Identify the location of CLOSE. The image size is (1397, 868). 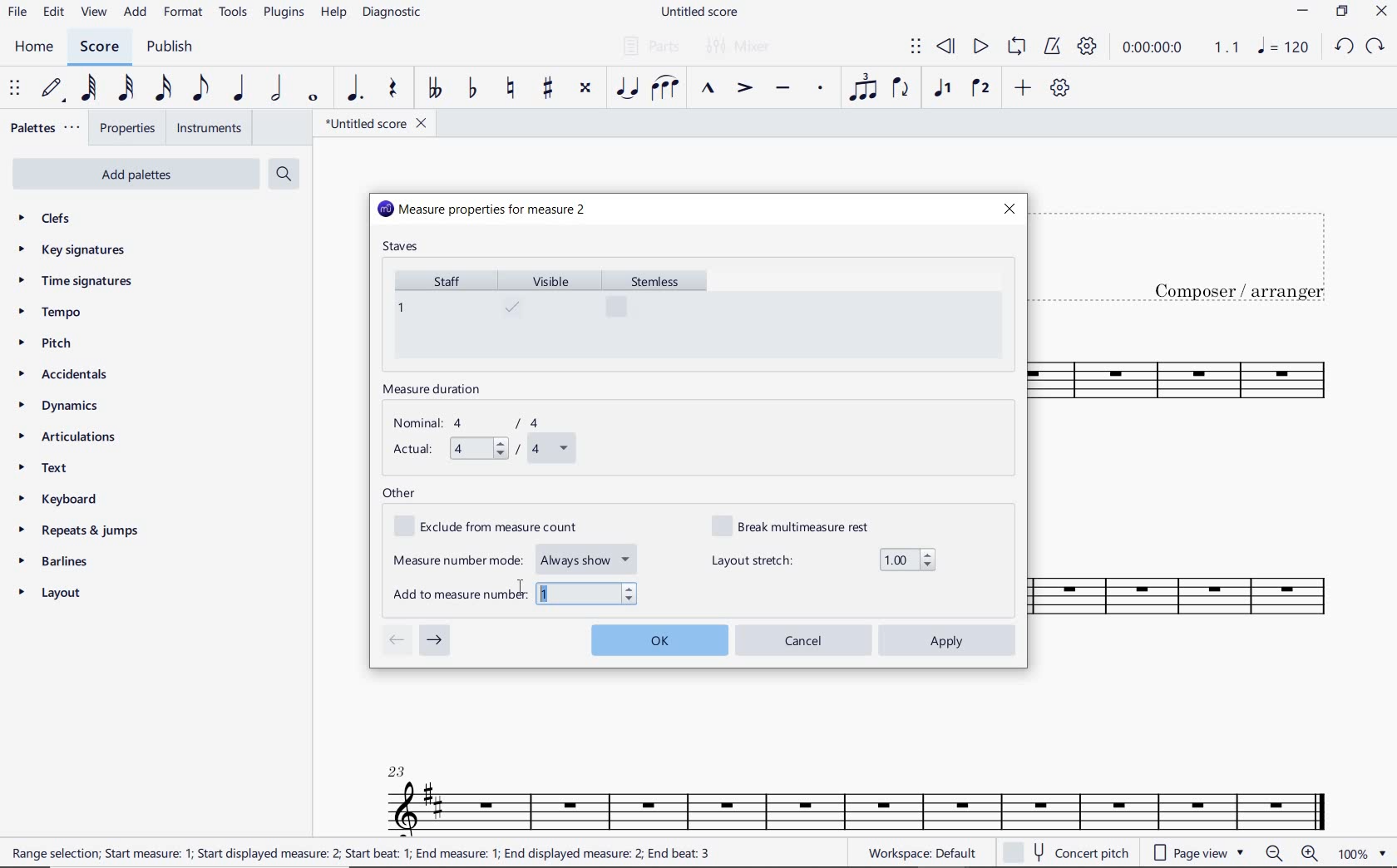
(1381, 13).